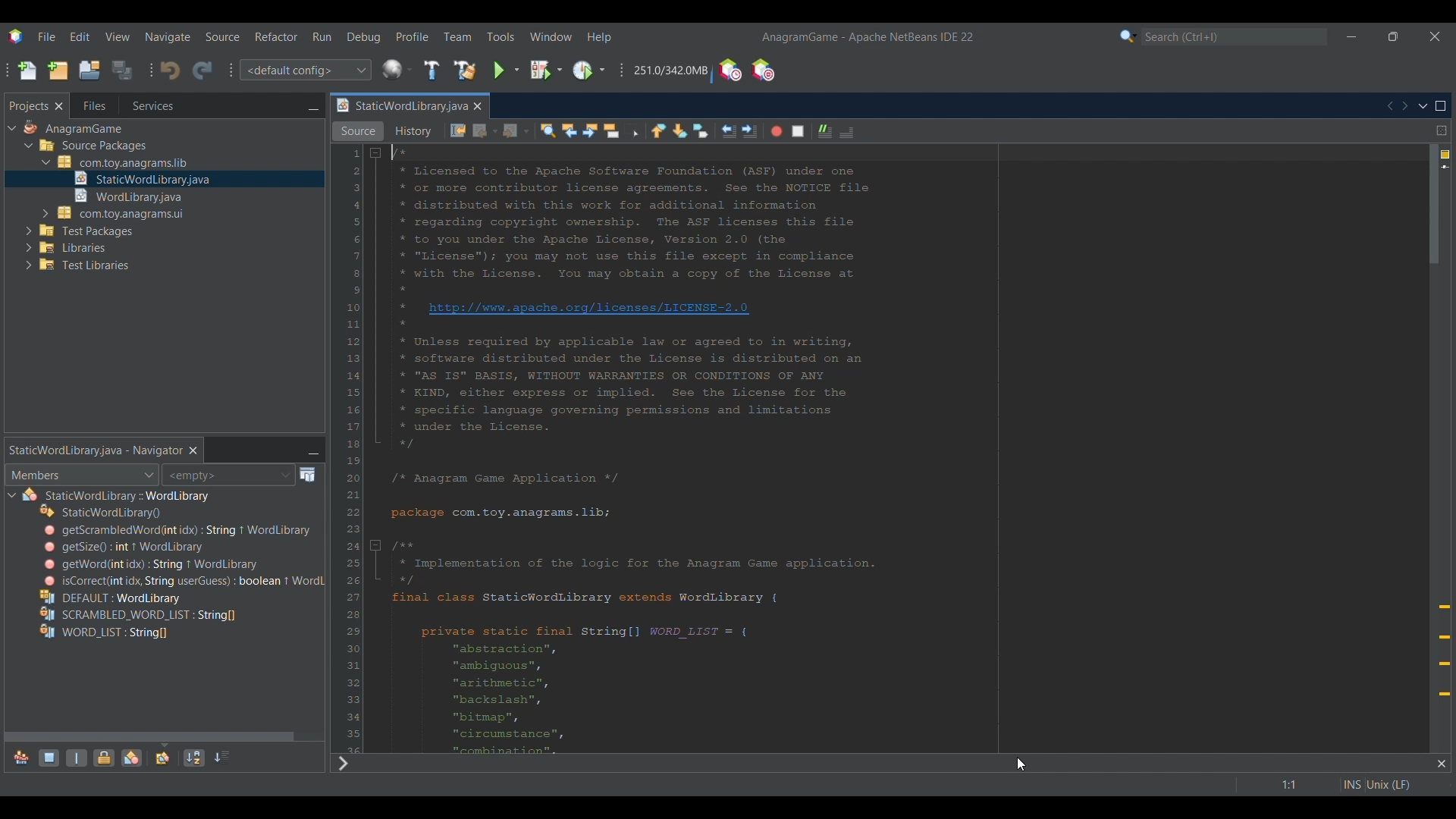 This screenshot has width=1456, height=819. I want to click on Forward options, so click(526, 132).